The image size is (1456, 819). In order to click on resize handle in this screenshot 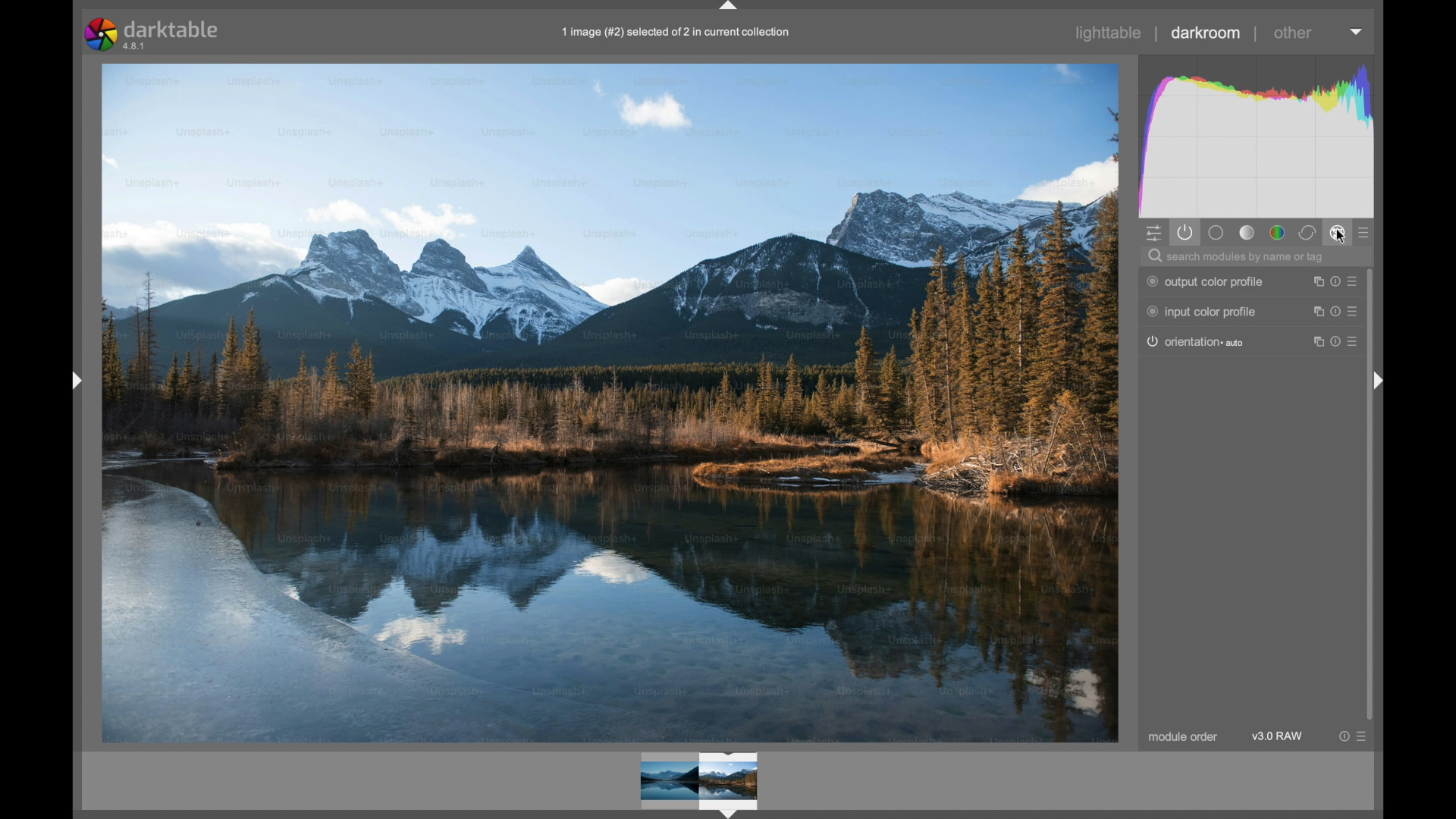, I will do `click(1356, 281)`.